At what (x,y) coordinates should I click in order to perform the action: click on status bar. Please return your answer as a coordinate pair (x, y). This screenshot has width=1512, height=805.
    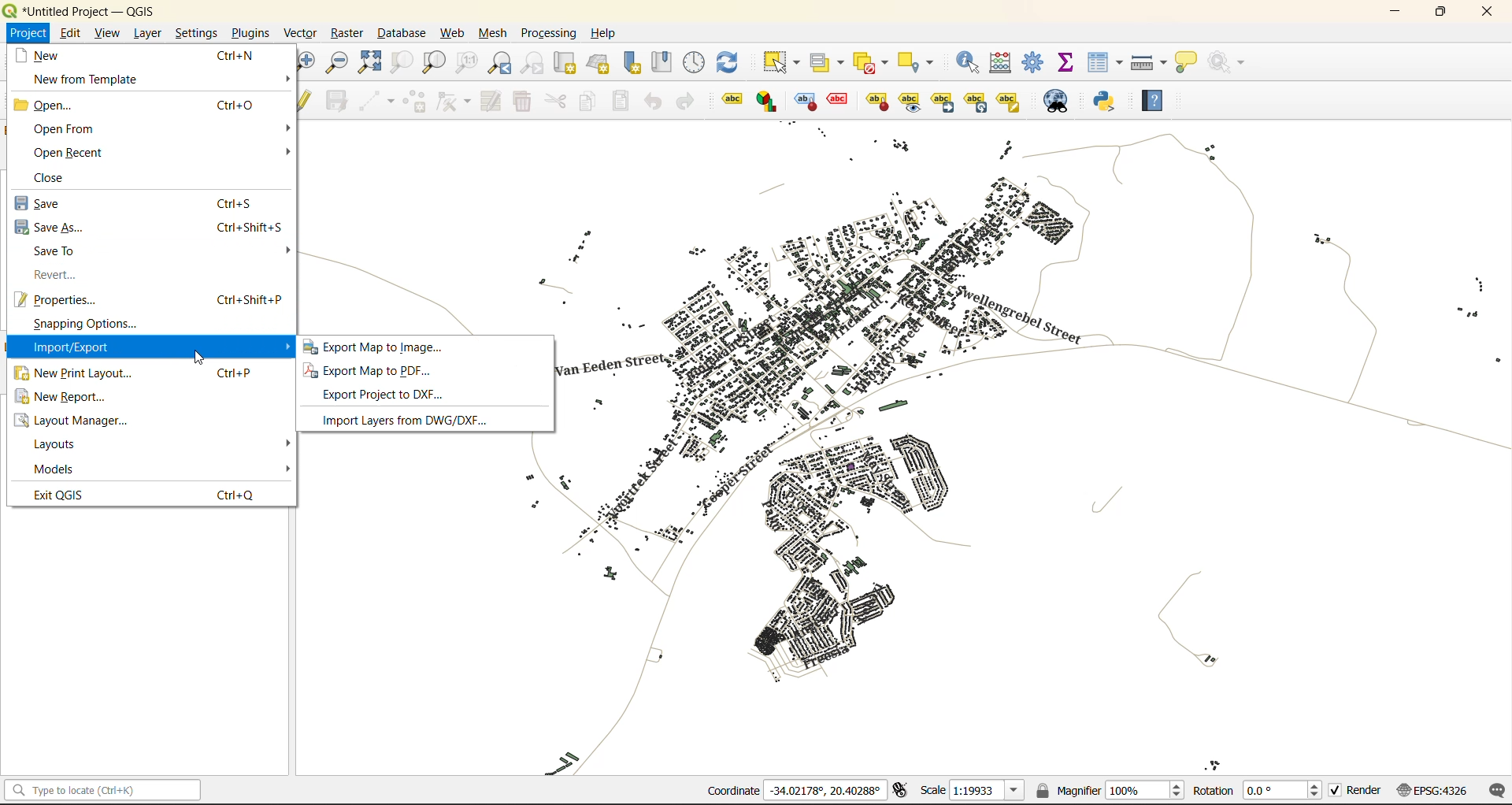
    Looking at the image, I should click on (100, 791).